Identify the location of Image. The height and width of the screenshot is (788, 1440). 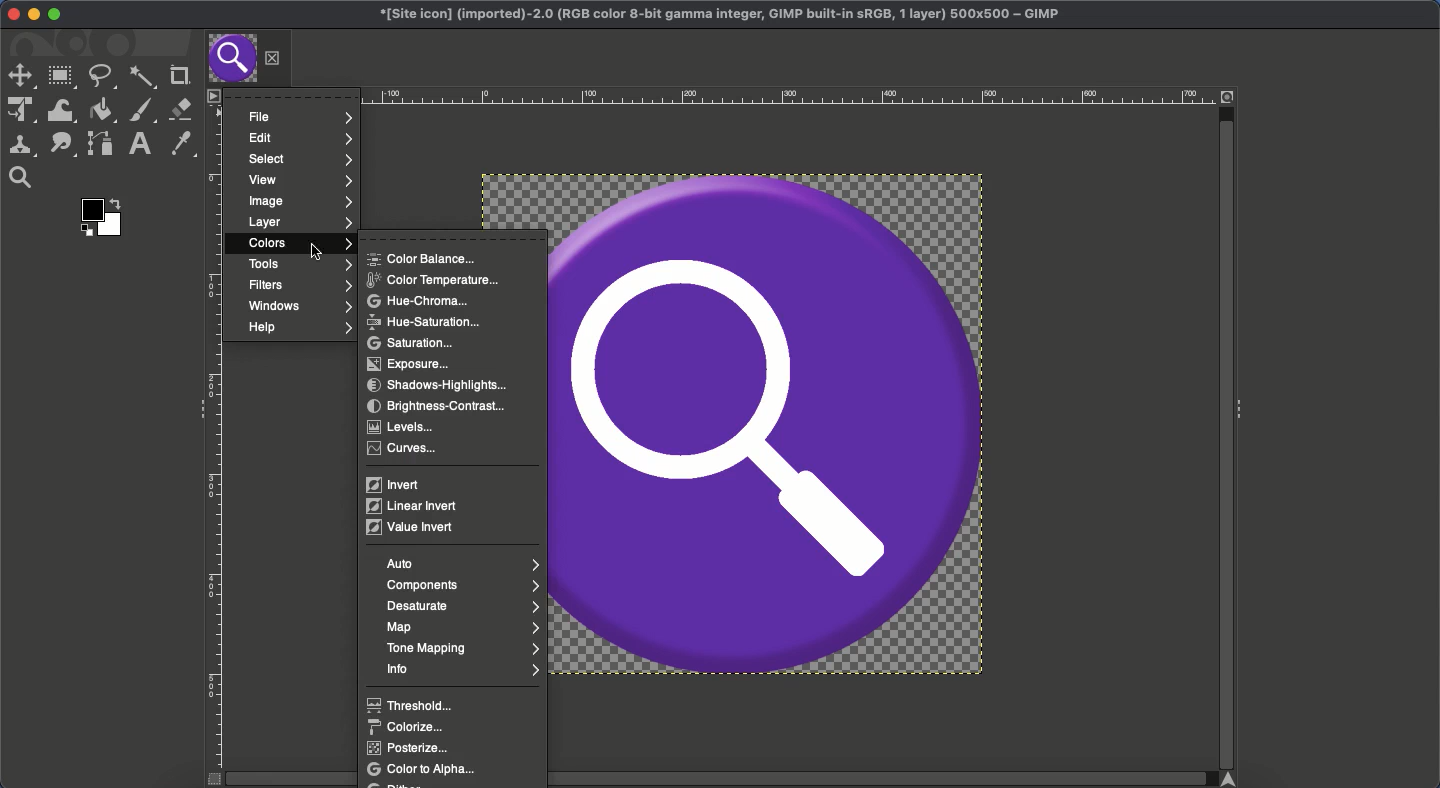
(768, 427).